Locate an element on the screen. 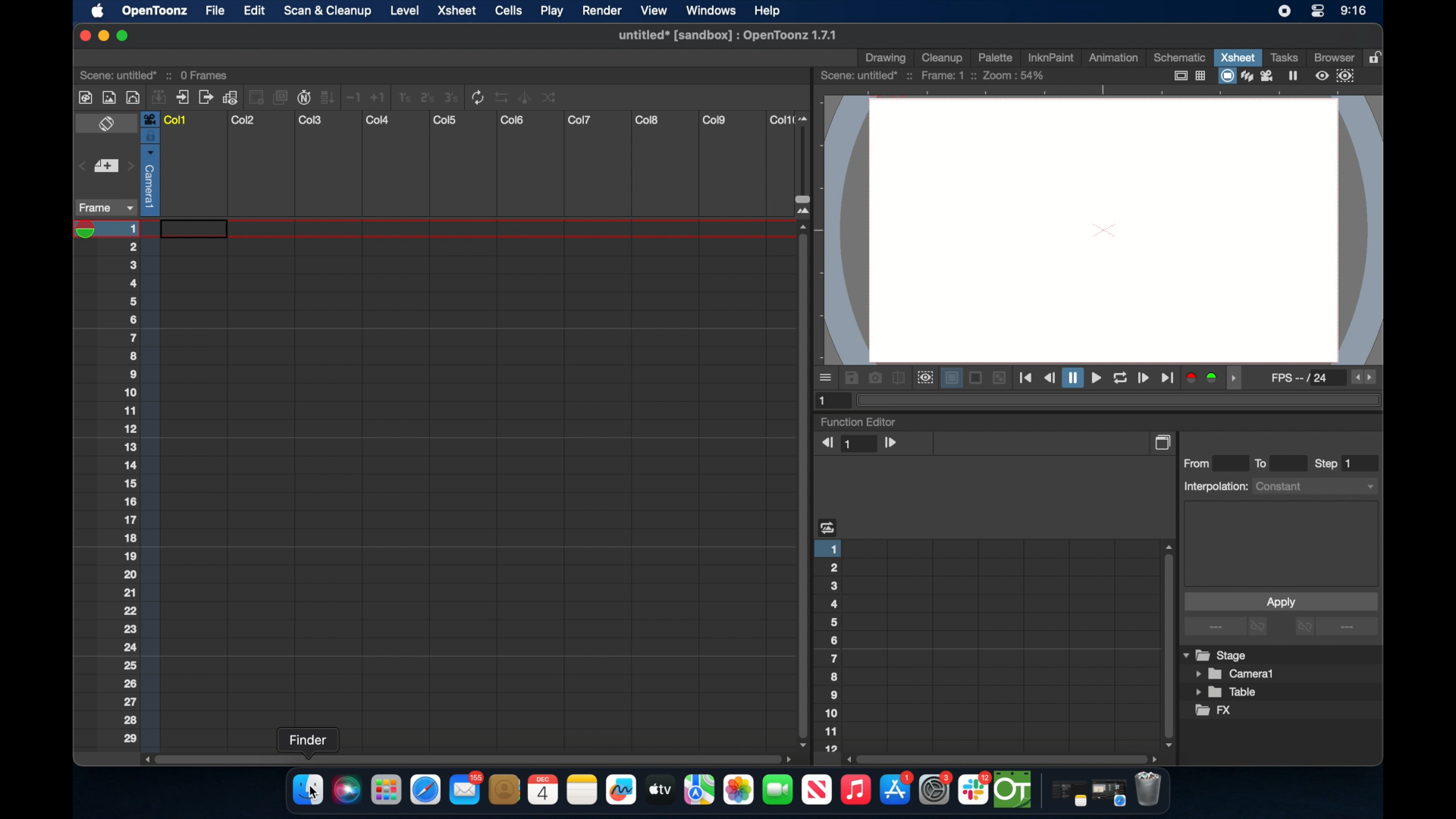 The width and height of the screenshot is (1456, 819). inknpaint is located at coordinates (1050, 57).